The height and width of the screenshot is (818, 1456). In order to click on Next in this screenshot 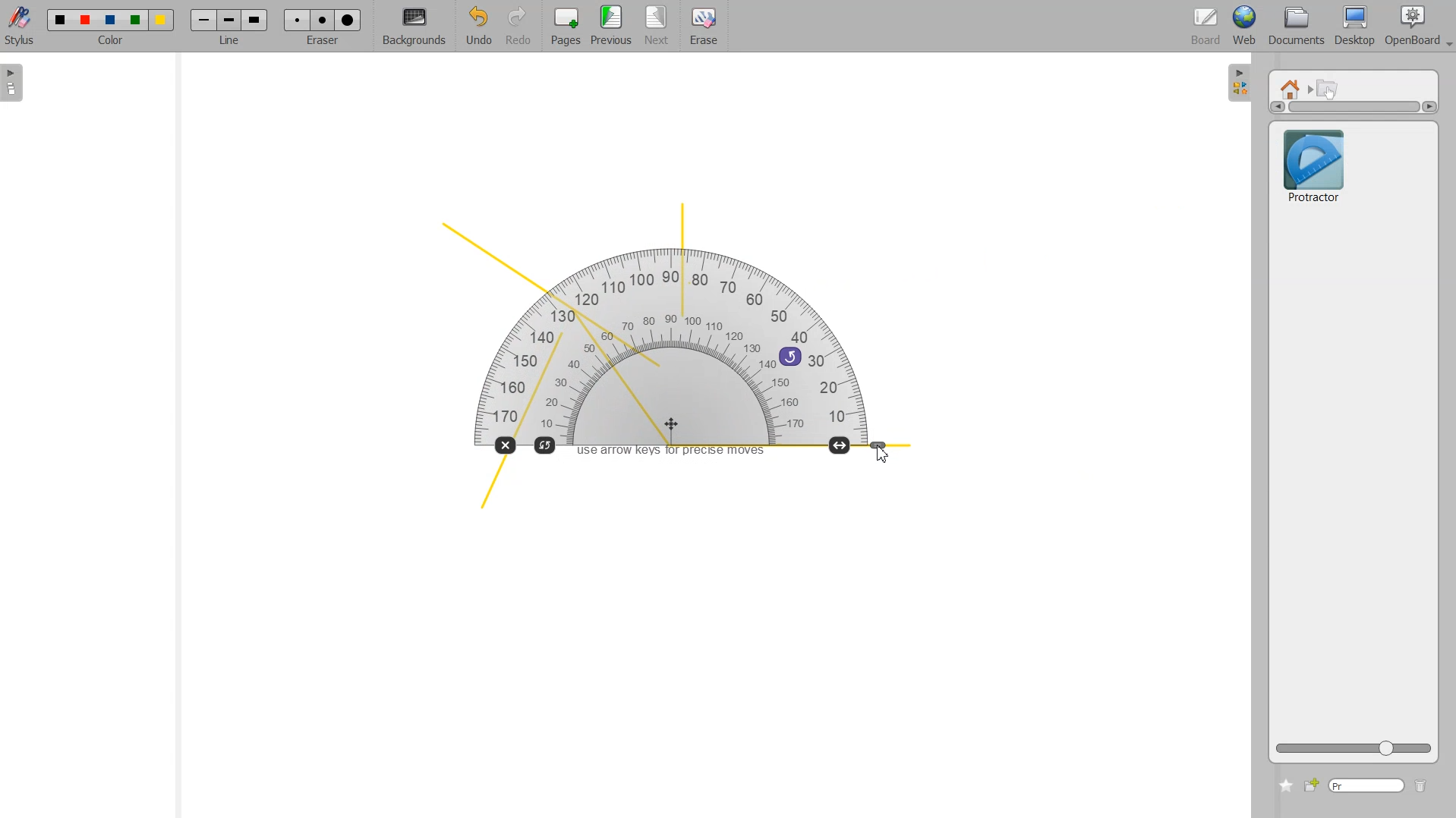, I will do `click(658, 27)`.